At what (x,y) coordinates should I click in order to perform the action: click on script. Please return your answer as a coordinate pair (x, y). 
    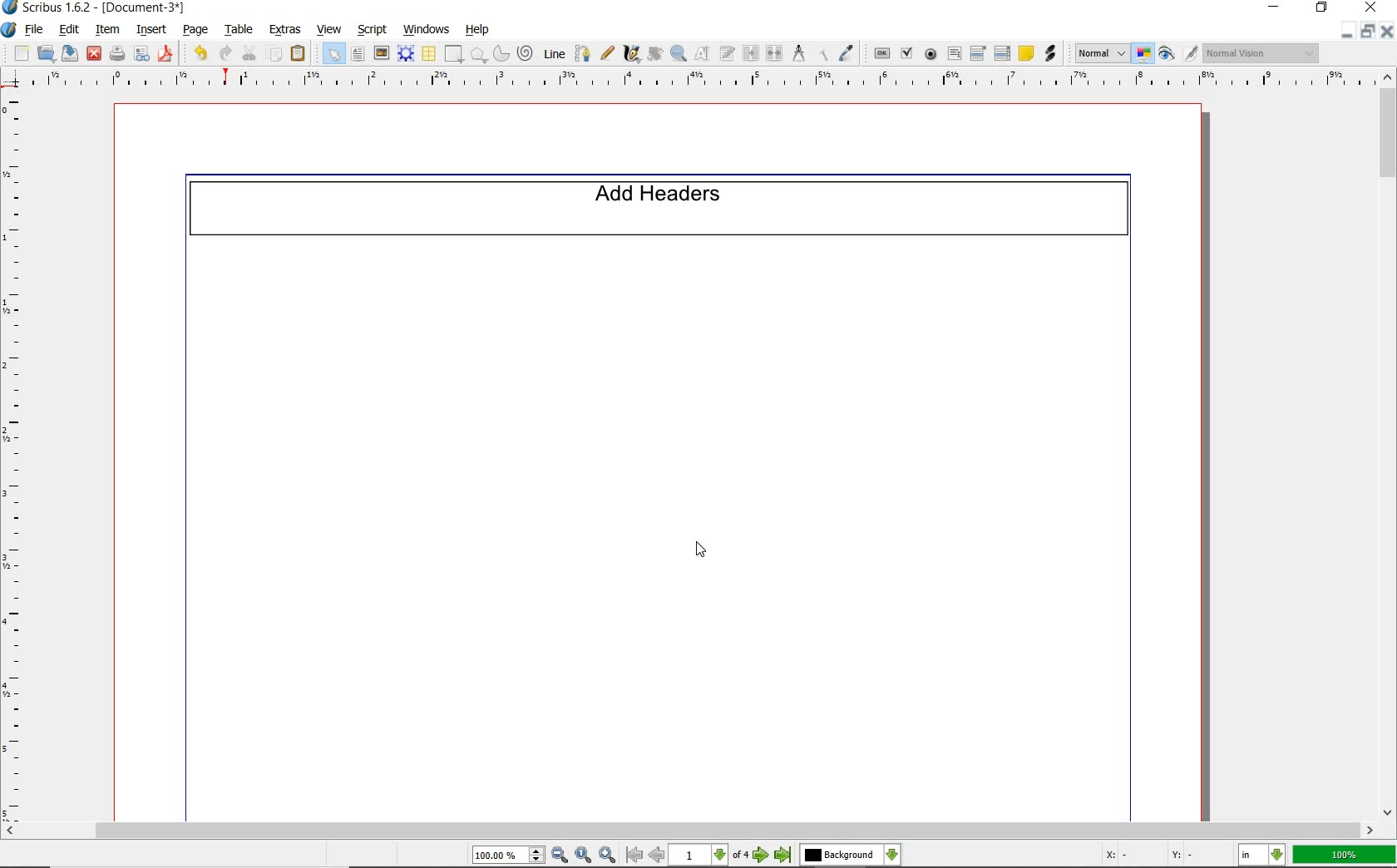
    Looking at the image, I should click on (371, 31).